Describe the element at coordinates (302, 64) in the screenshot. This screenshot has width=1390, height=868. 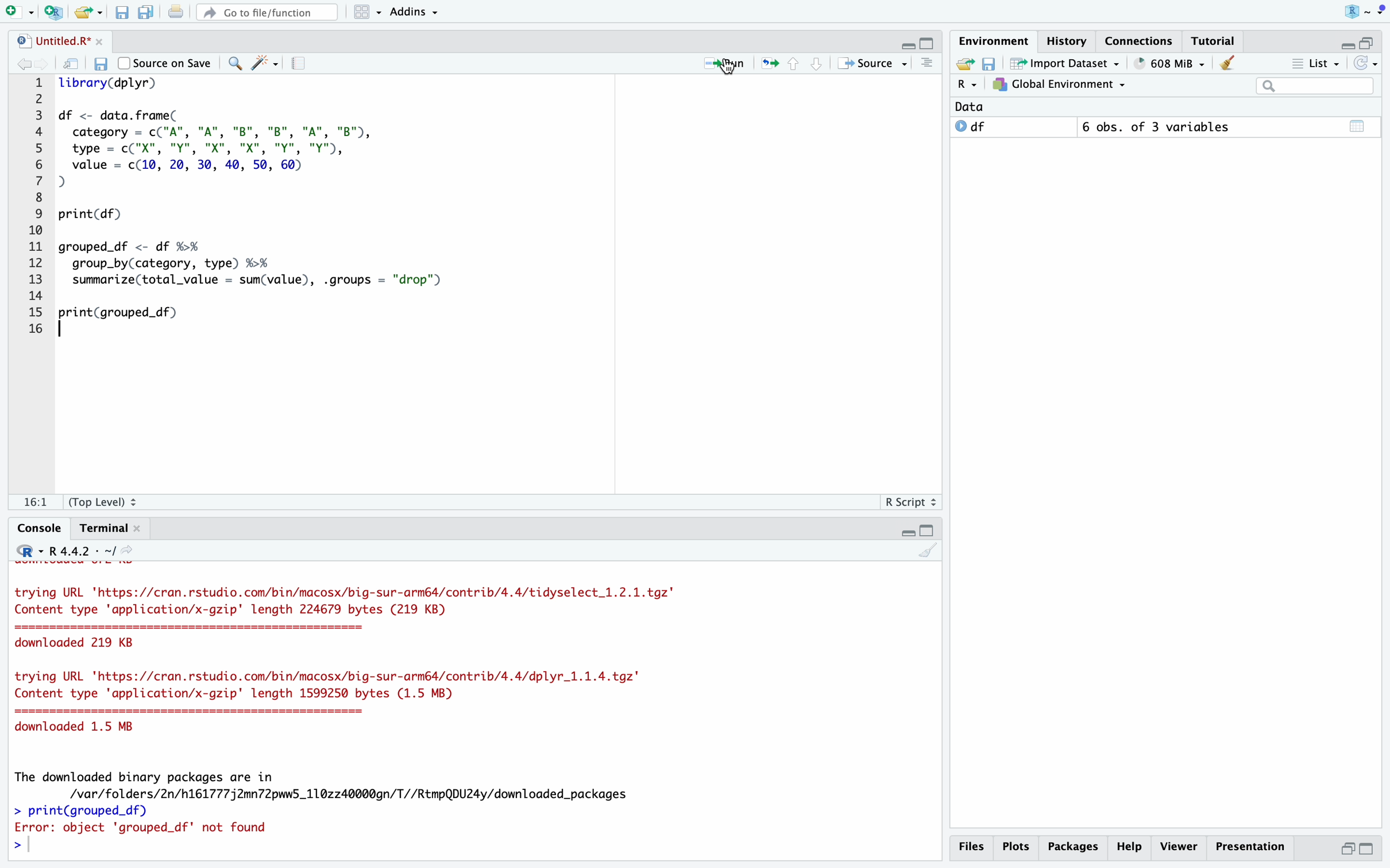
I see `Guidelines` at that location.